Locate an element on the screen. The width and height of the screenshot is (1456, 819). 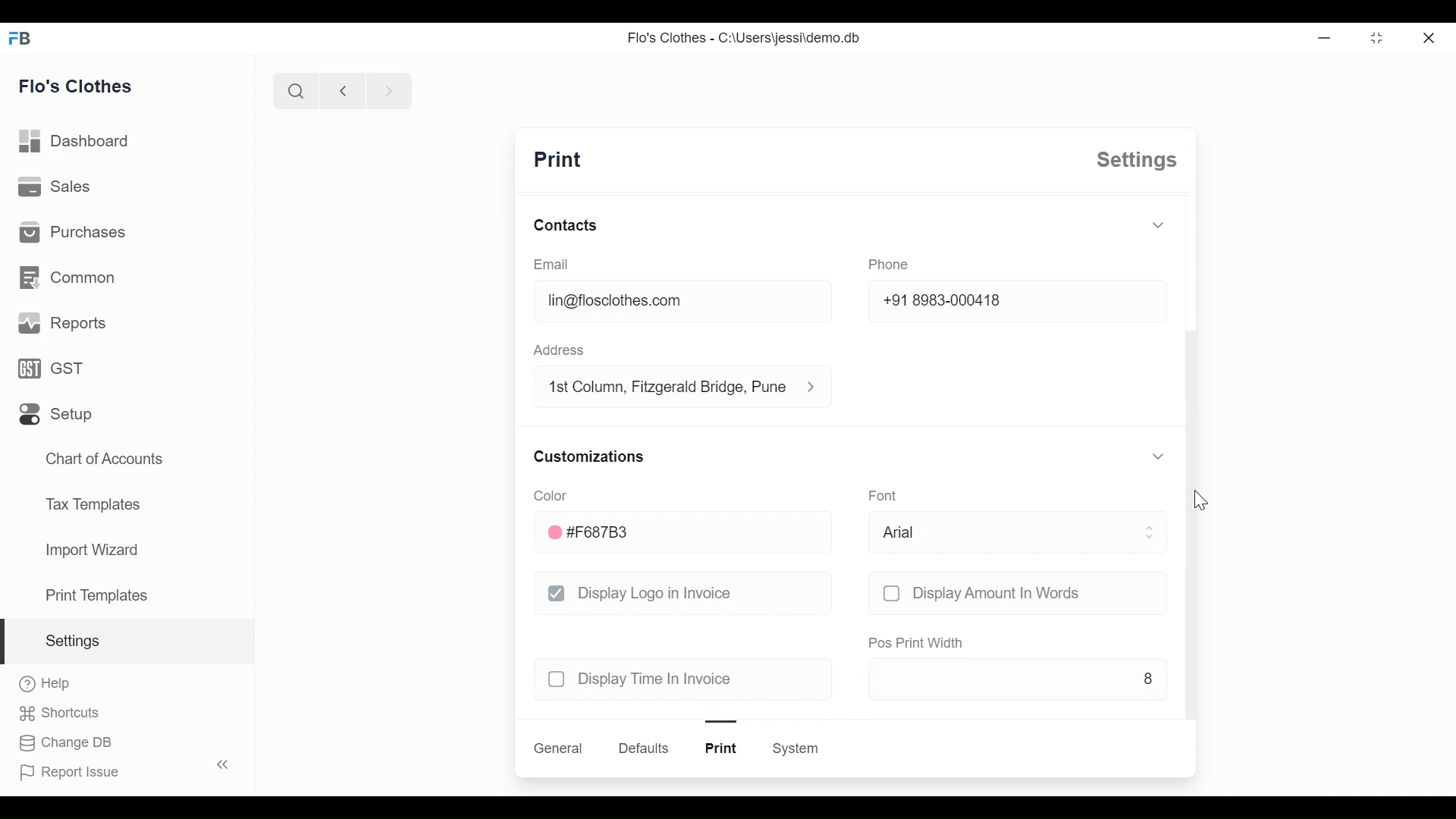
next is located at coordinates (390, 90).